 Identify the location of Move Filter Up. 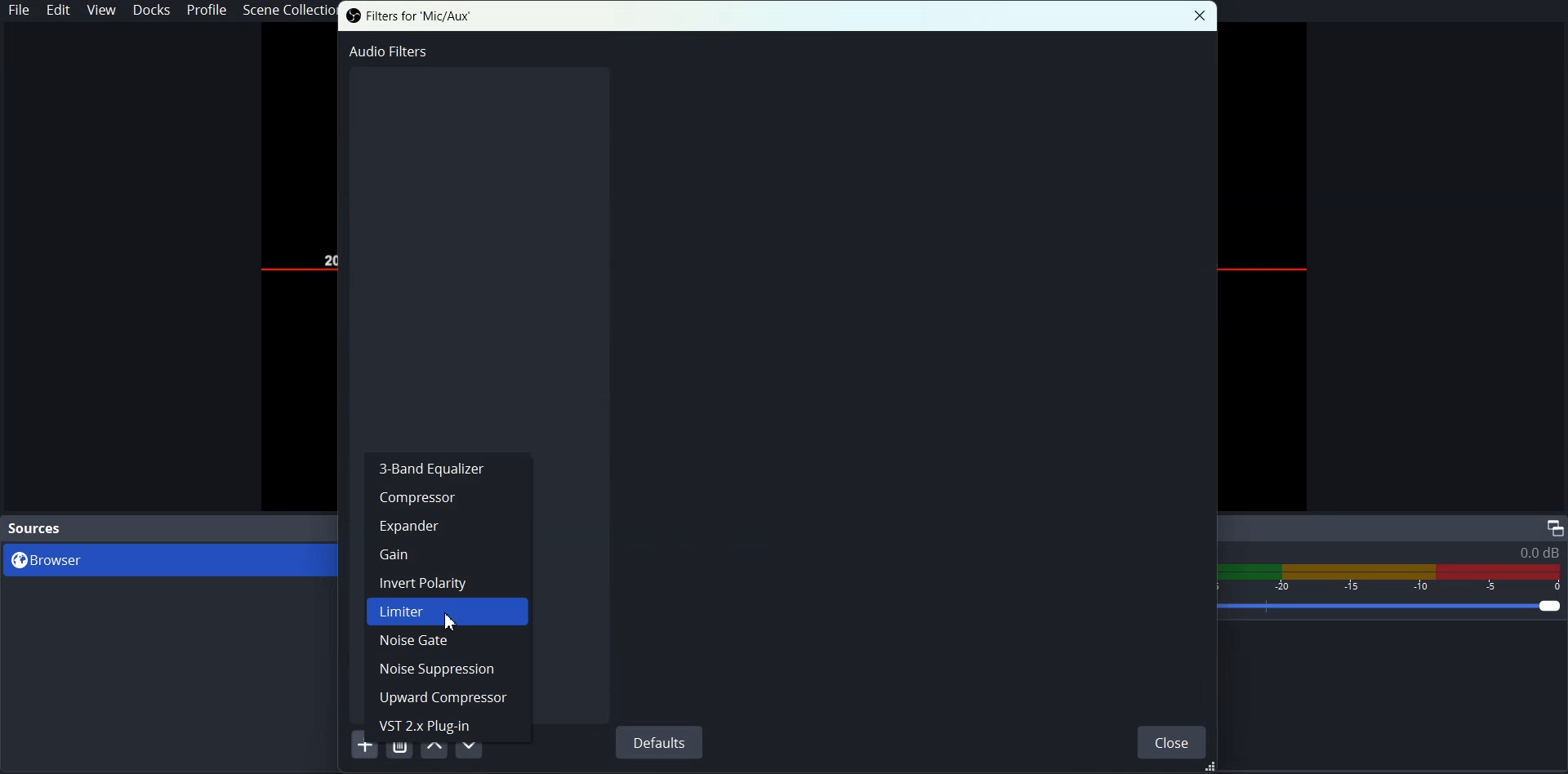
(435, 749).